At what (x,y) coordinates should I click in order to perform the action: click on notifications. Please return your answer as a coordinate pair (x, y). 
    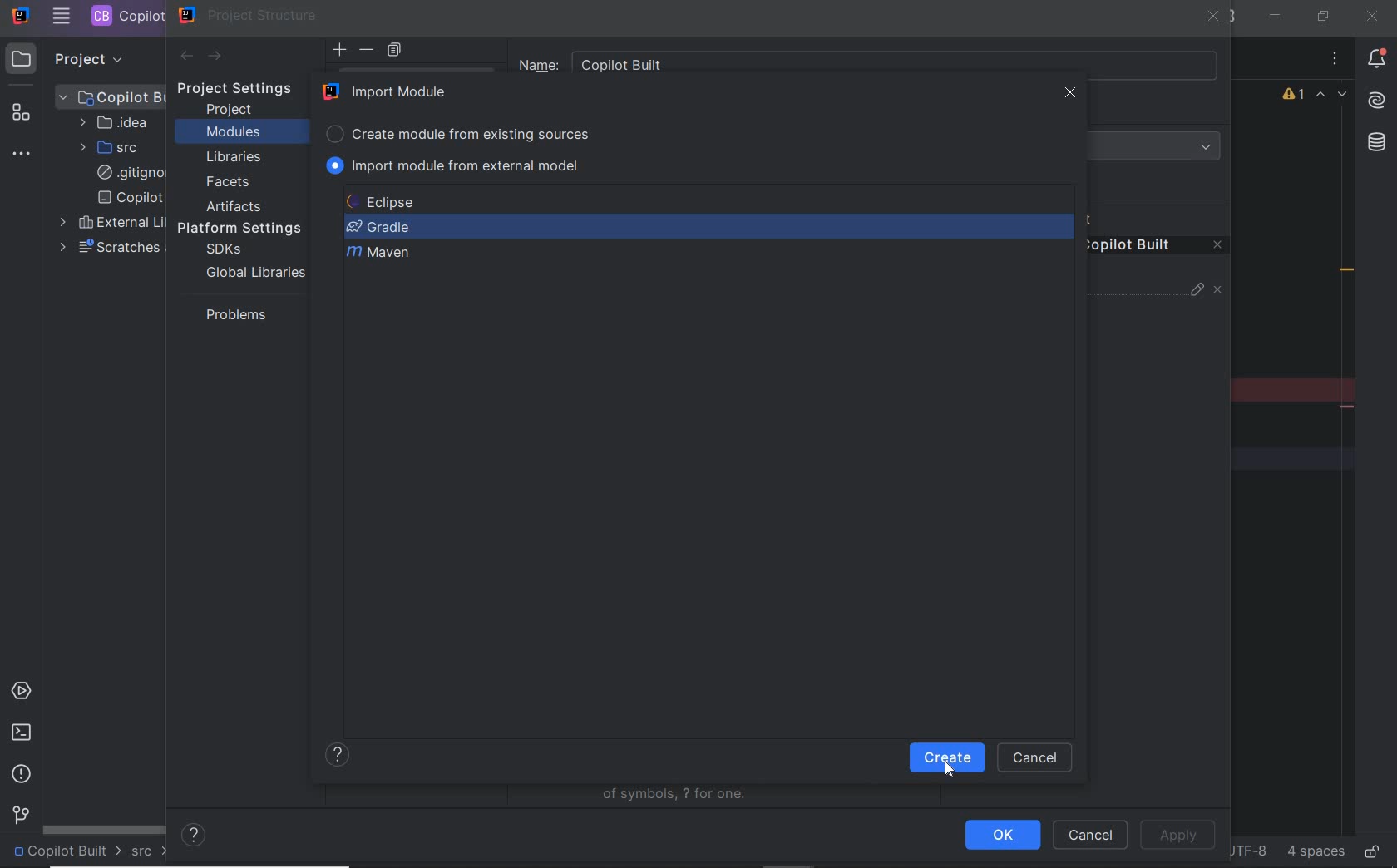
    Looking at the image, I should click on (1377, 61).